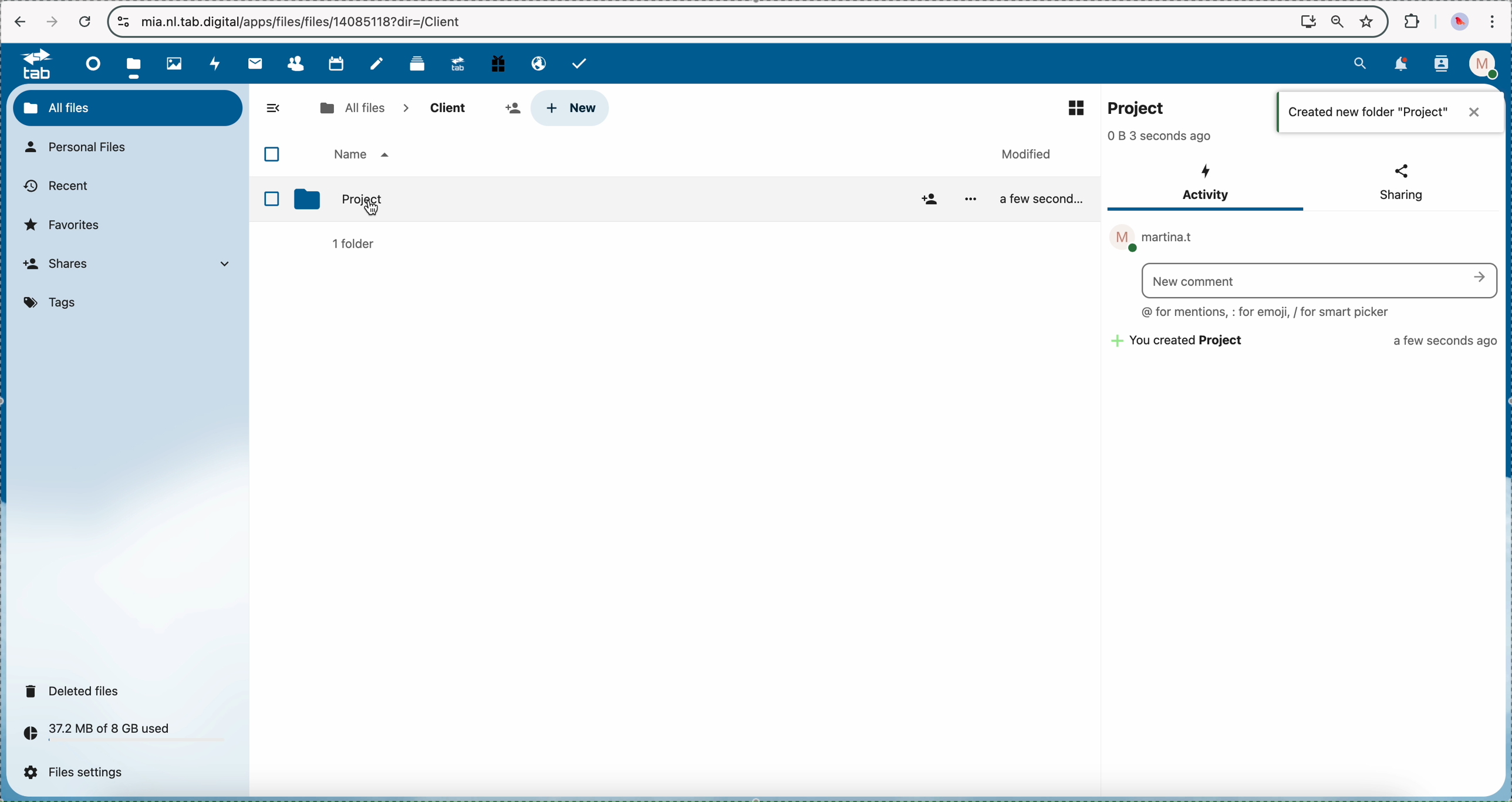 The width and height of the screenshot is (1512, 802). What do you see at coordinates (84, 22) in the screenshot?
I see `cancel` at bounding box center [84, 22].